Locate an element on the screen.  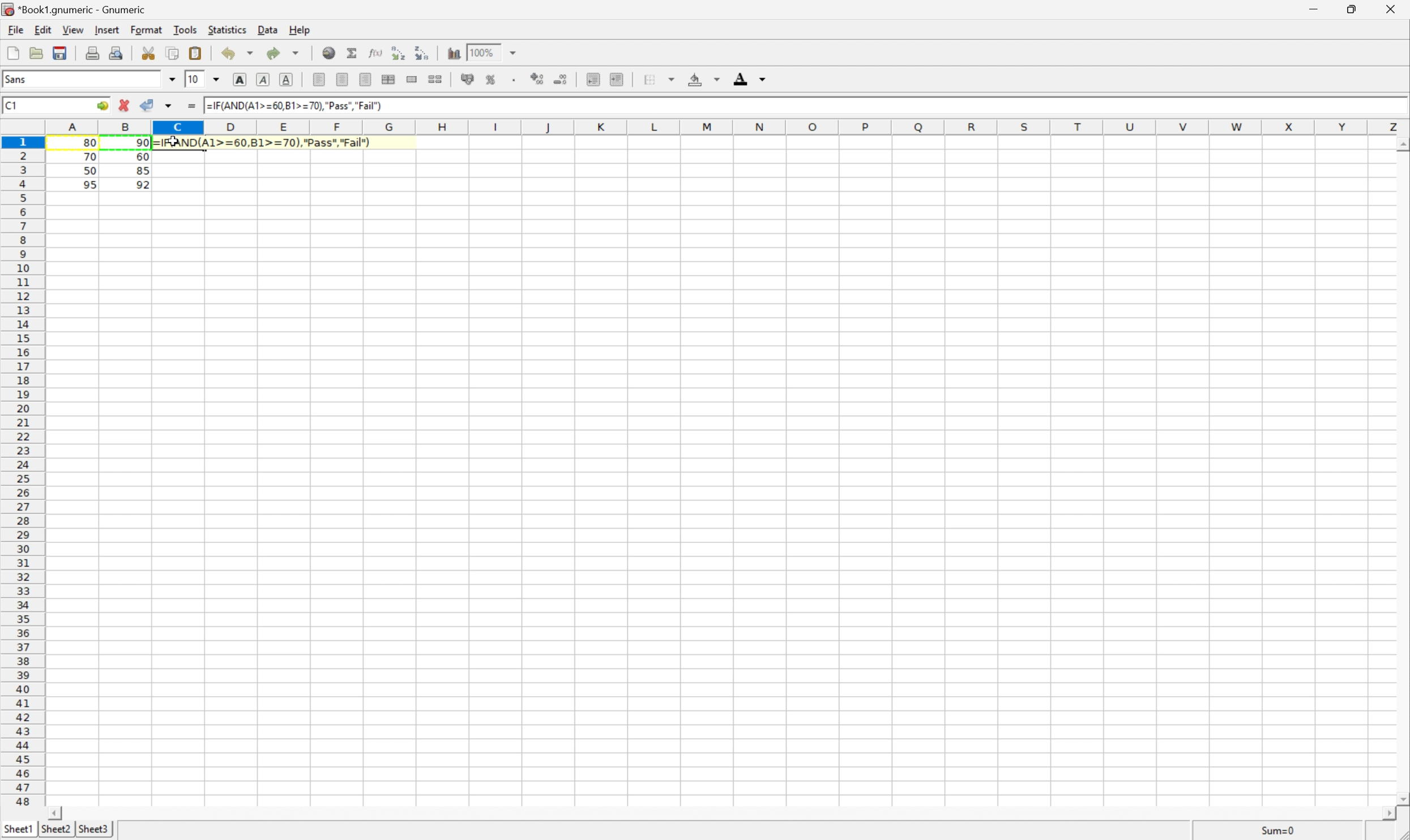
Paste the clipboard is located at coordinates (196, 54).